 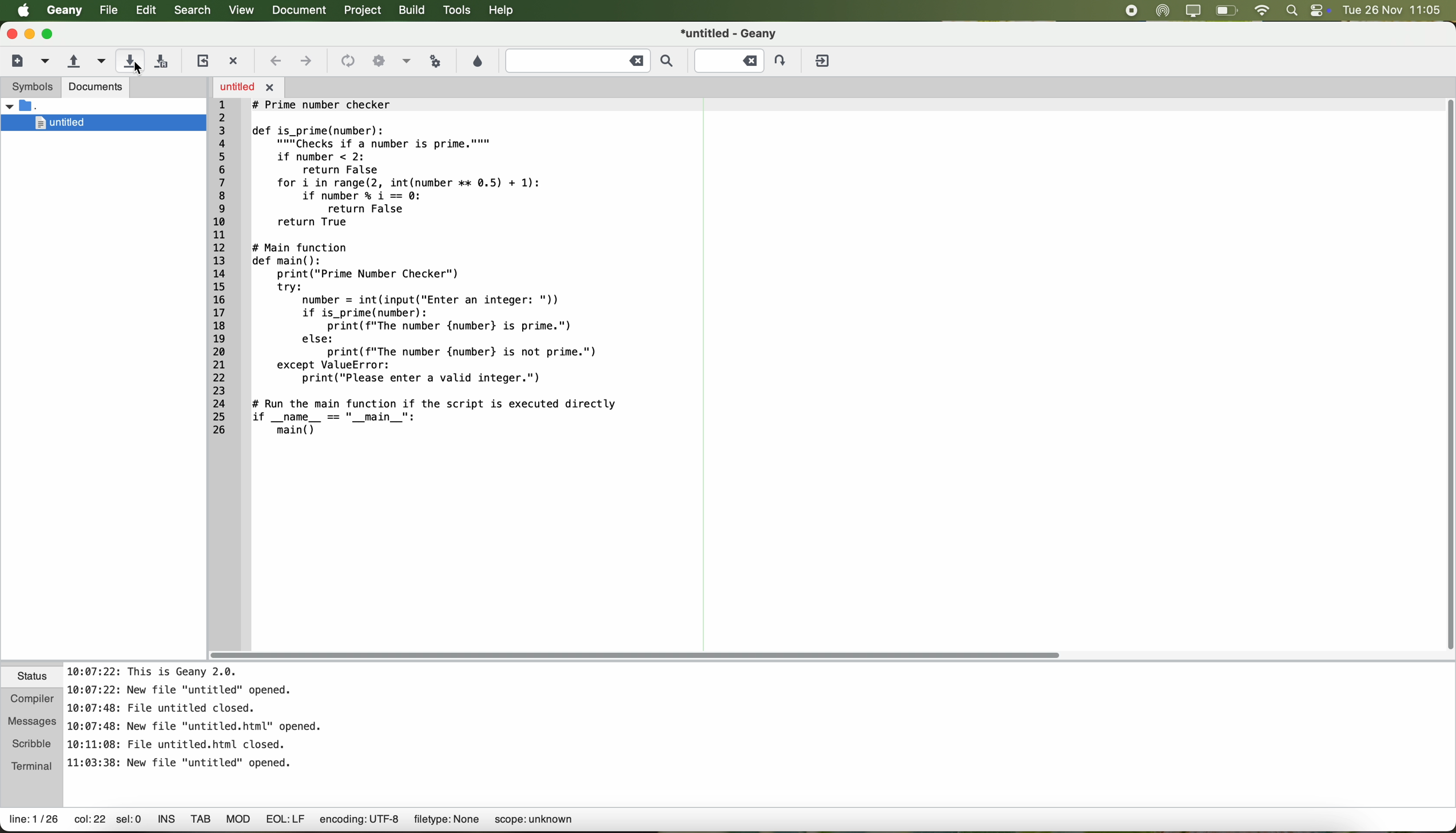 What do you see at coordinates (477, 61) in the screenshot?
I see `choose color` at bounding box center [477, 61].